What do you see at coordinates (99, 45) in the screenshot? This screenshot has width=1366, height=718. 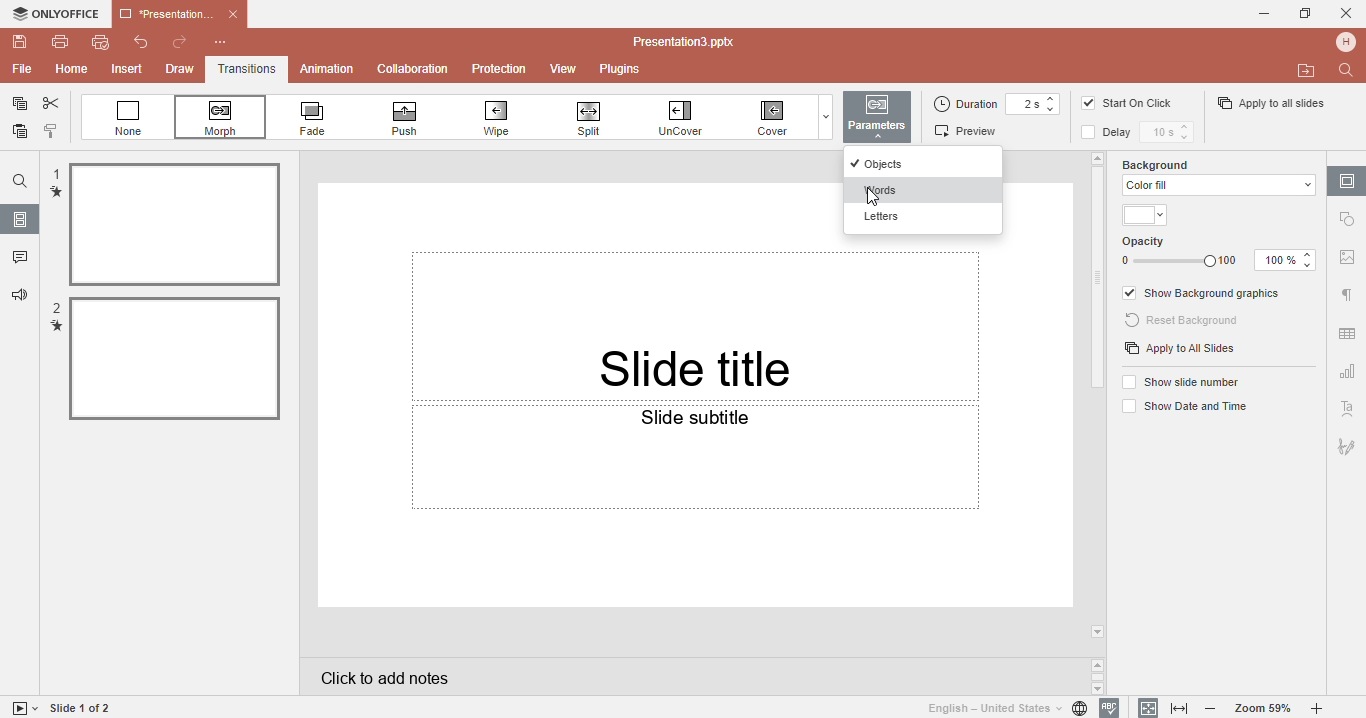 I see `Quick print` at bounding box center [99, 45].